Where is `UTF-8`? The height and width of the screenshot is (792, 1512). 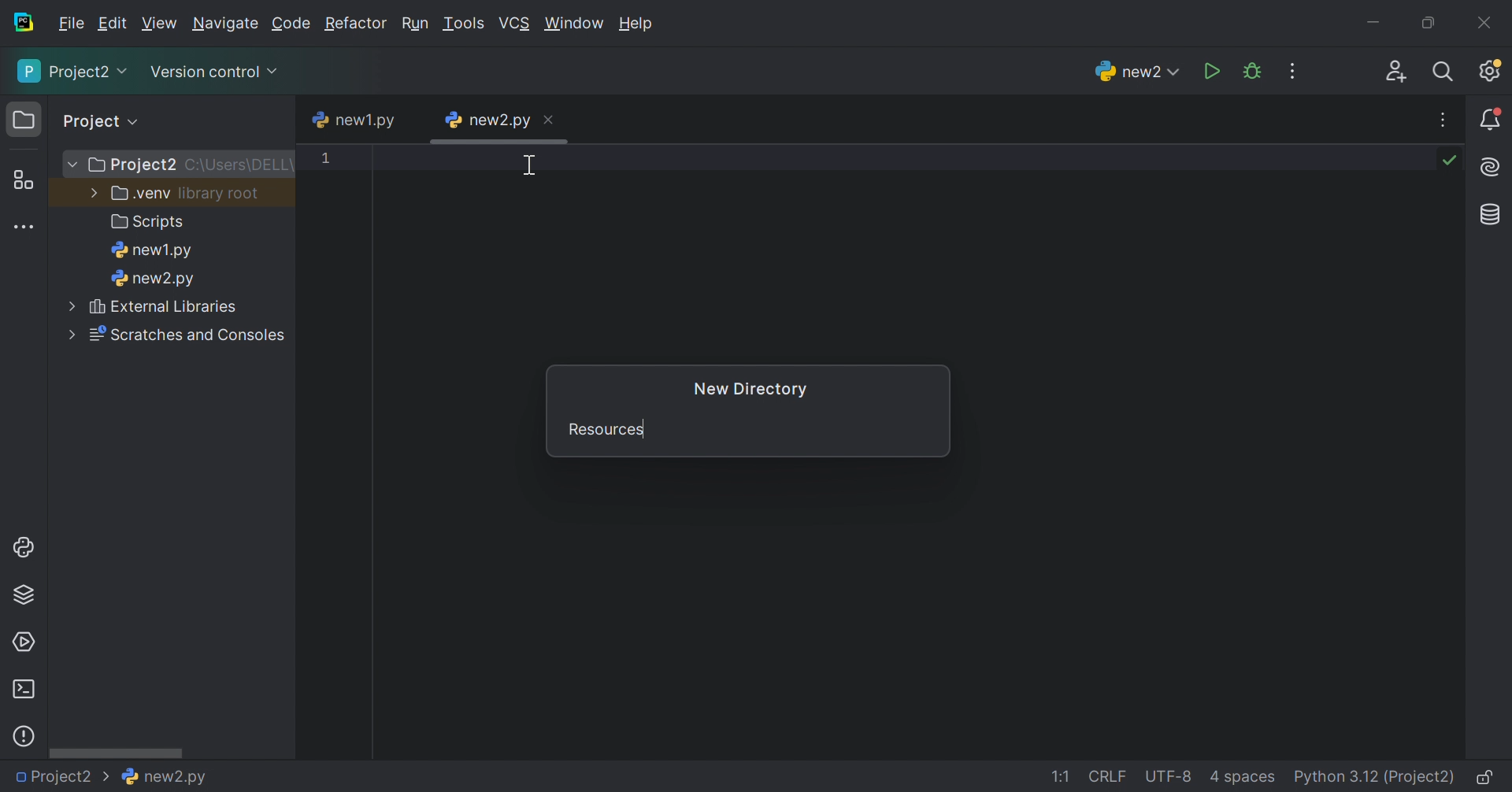 UTF-8 is located at coordinates (1170, 776).